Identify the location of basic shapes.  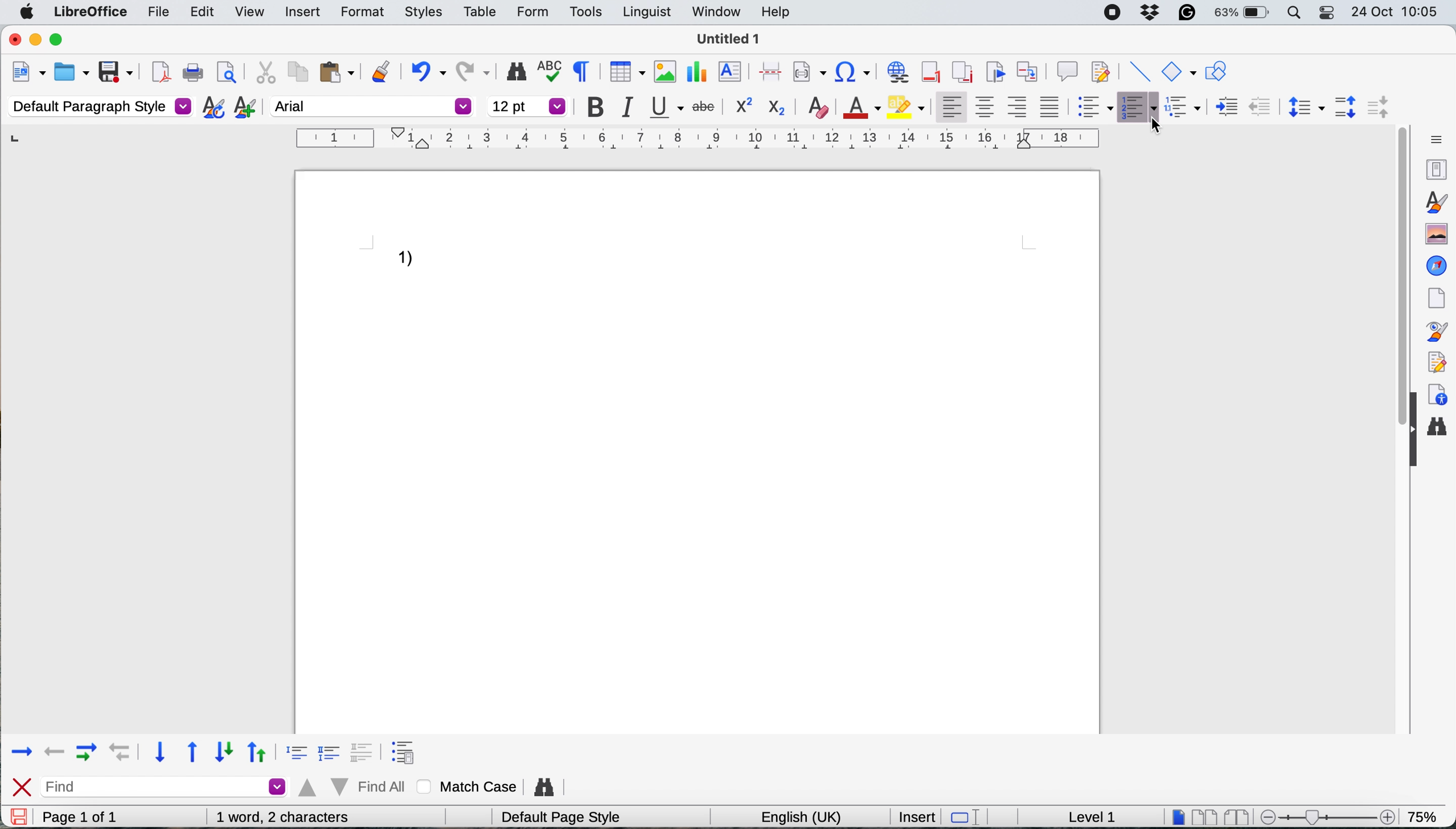
(1178, 71).